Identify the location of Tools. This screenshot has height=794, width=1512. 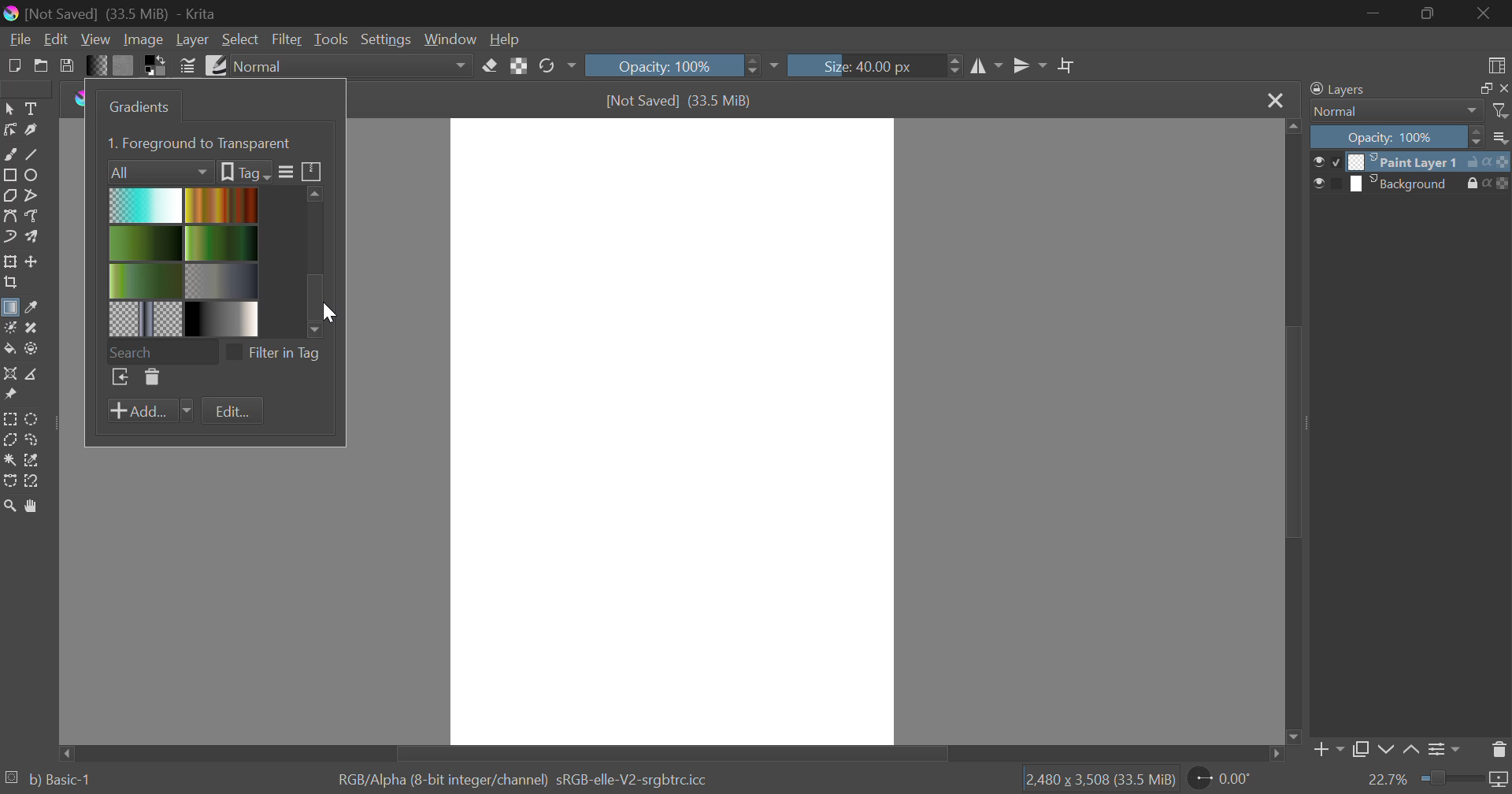
(331, 39).